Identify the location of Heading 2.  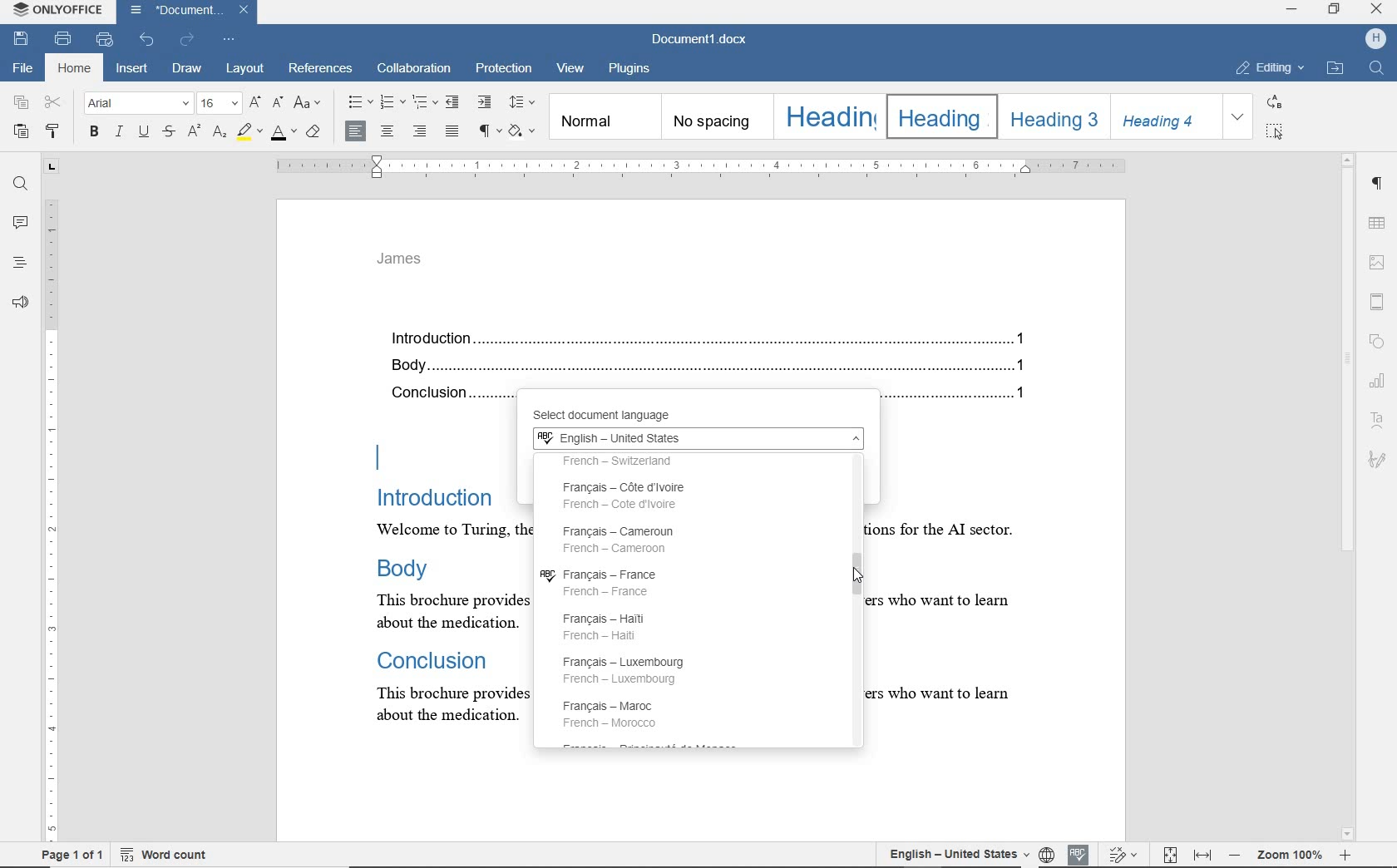
(938, 116).